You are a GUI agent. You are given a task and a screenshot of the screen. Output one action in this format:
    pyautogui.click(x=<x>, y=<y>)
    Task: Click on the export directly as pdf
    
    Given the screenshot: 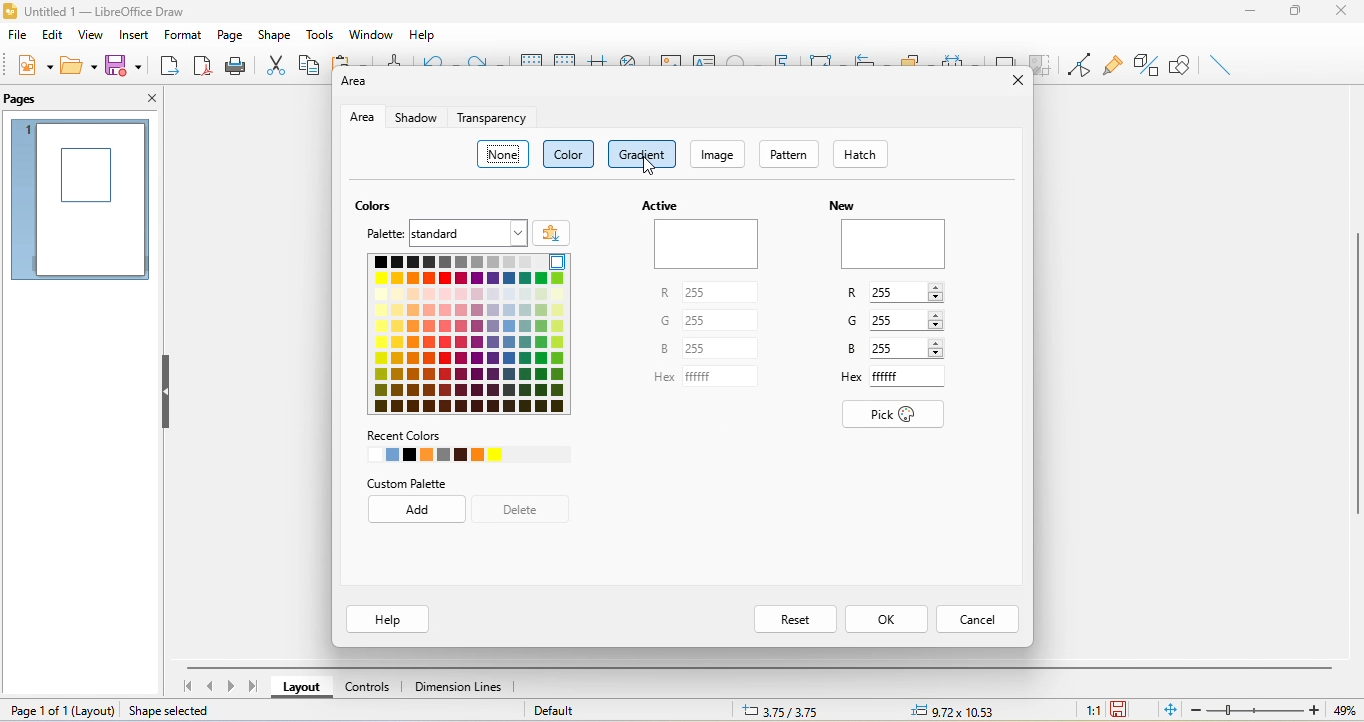 What is the action you would take?
    pyautogui.click(x=201, y=67)
    